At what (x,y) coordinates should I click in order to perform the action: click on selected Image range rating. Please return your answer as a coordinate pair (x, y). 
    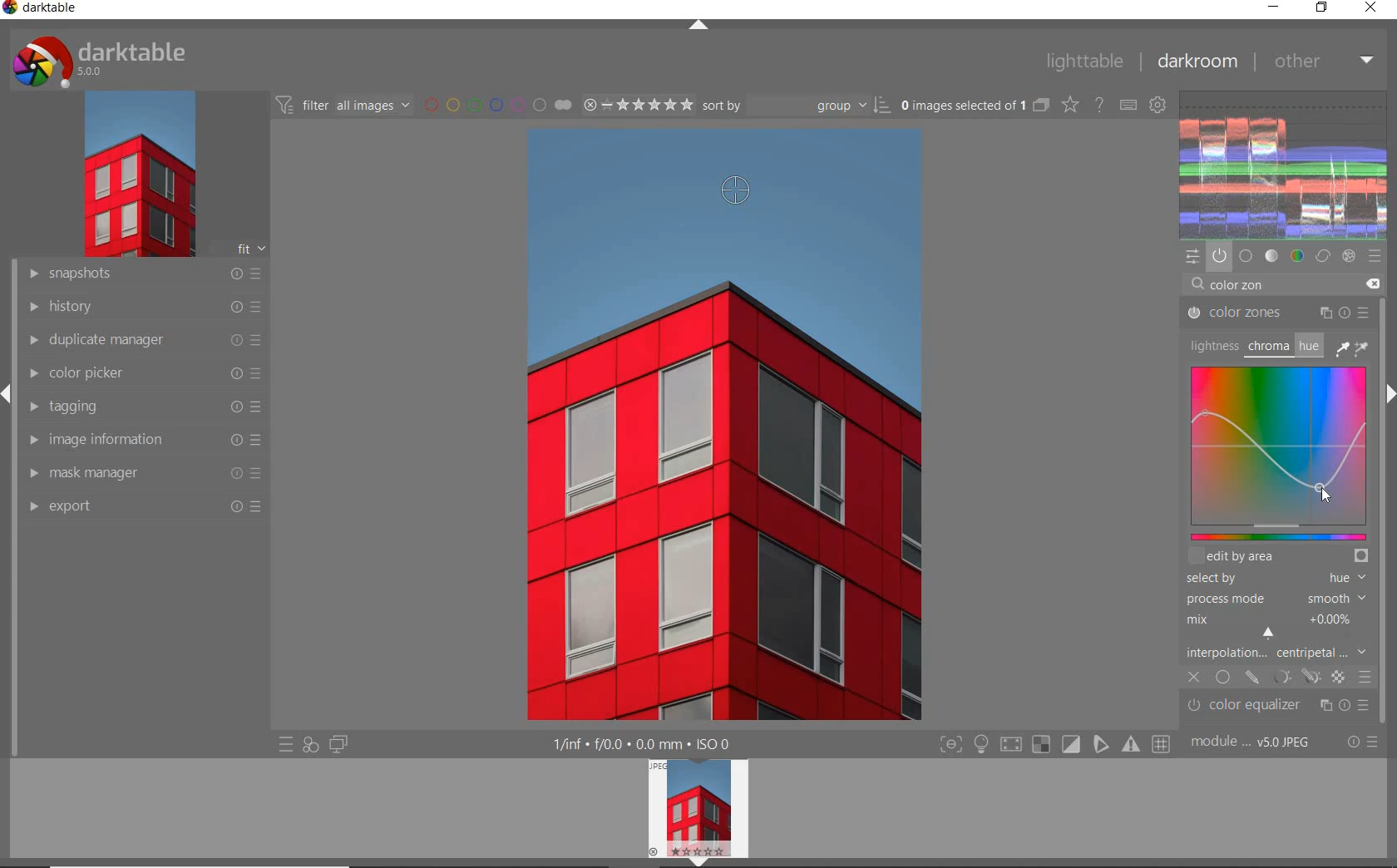
    Looking at the image, I should click on (639, 104).